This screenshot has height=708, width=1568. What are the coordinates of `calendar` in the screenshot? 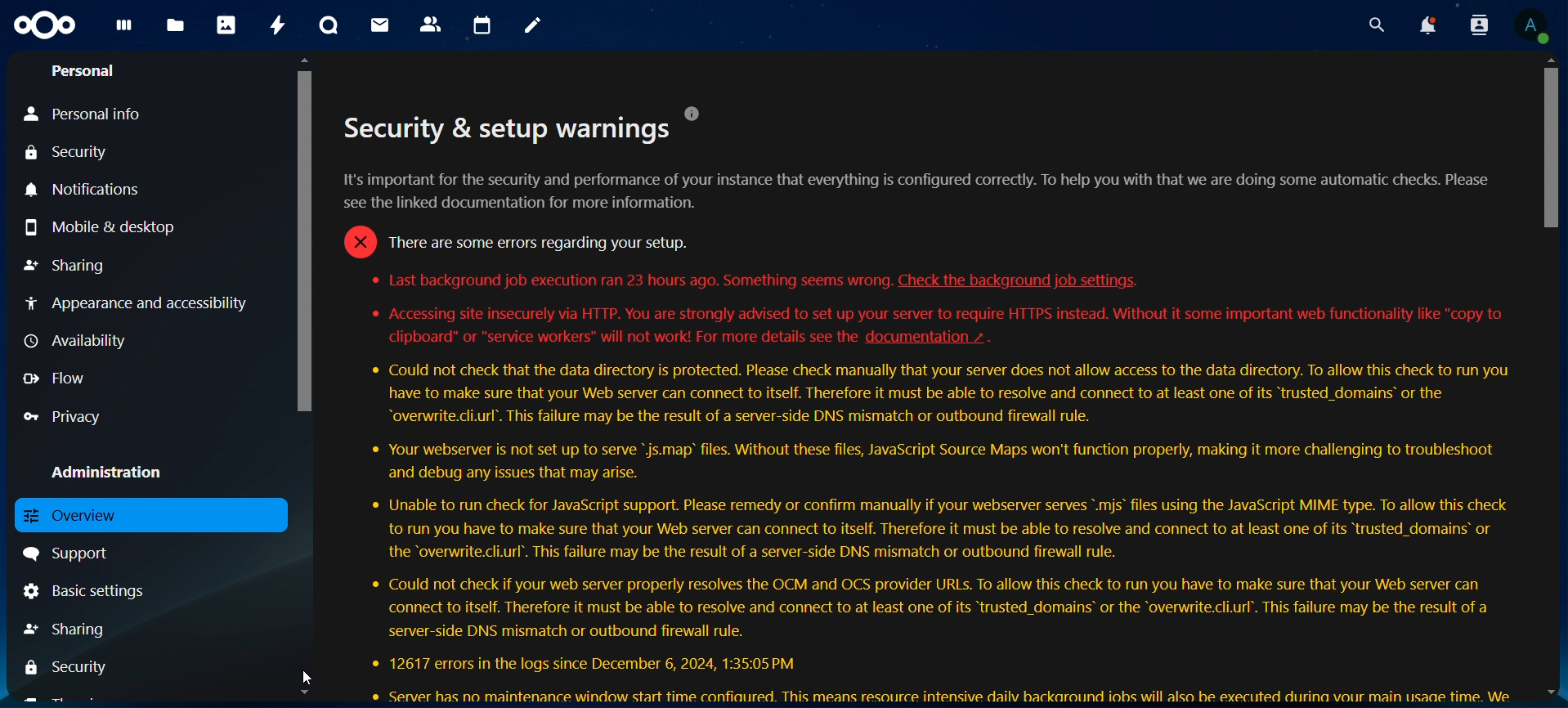 It's located at (483, 23).